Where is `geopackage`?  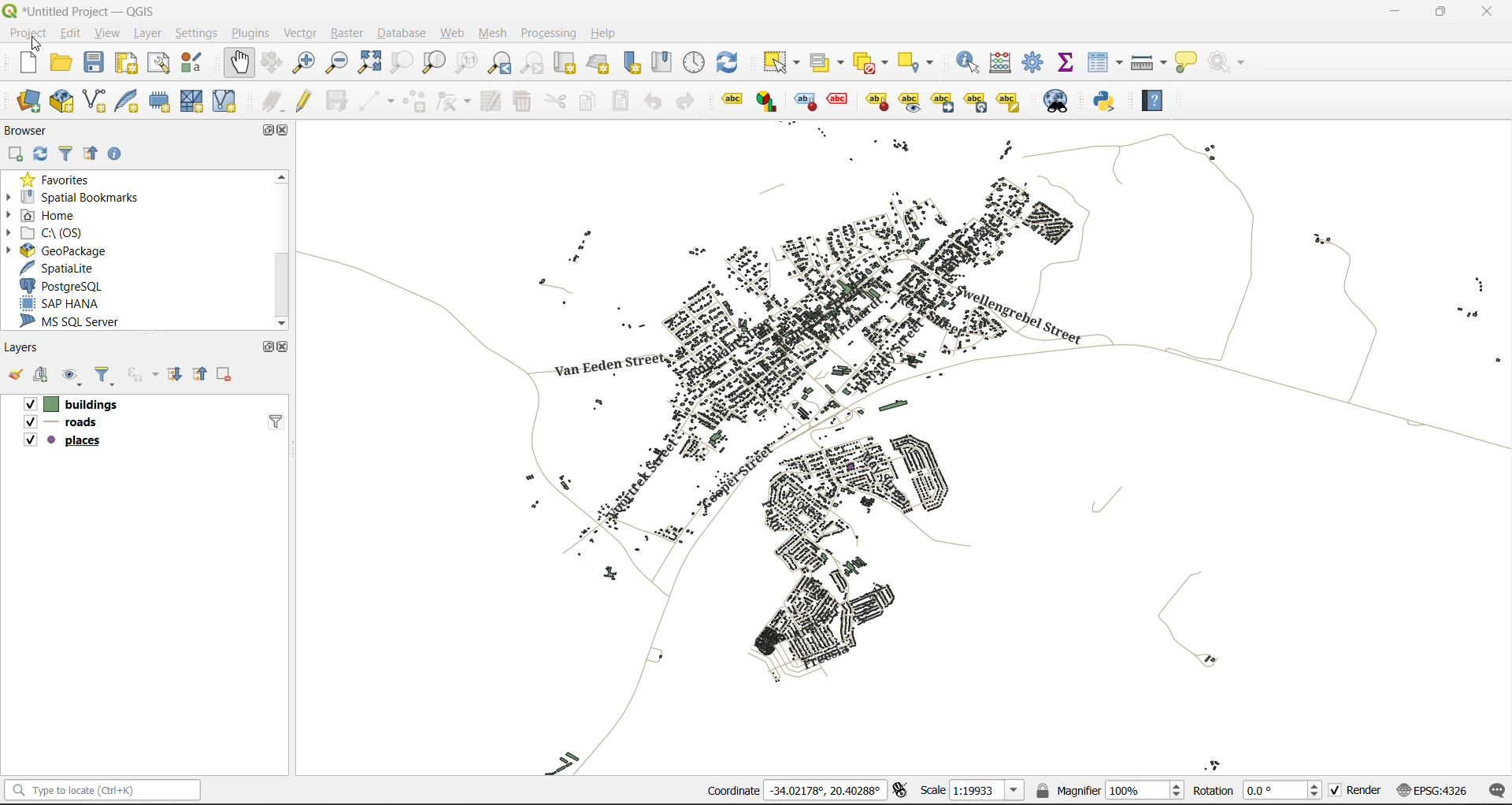 geopackage is located at coordinates (61, 252).